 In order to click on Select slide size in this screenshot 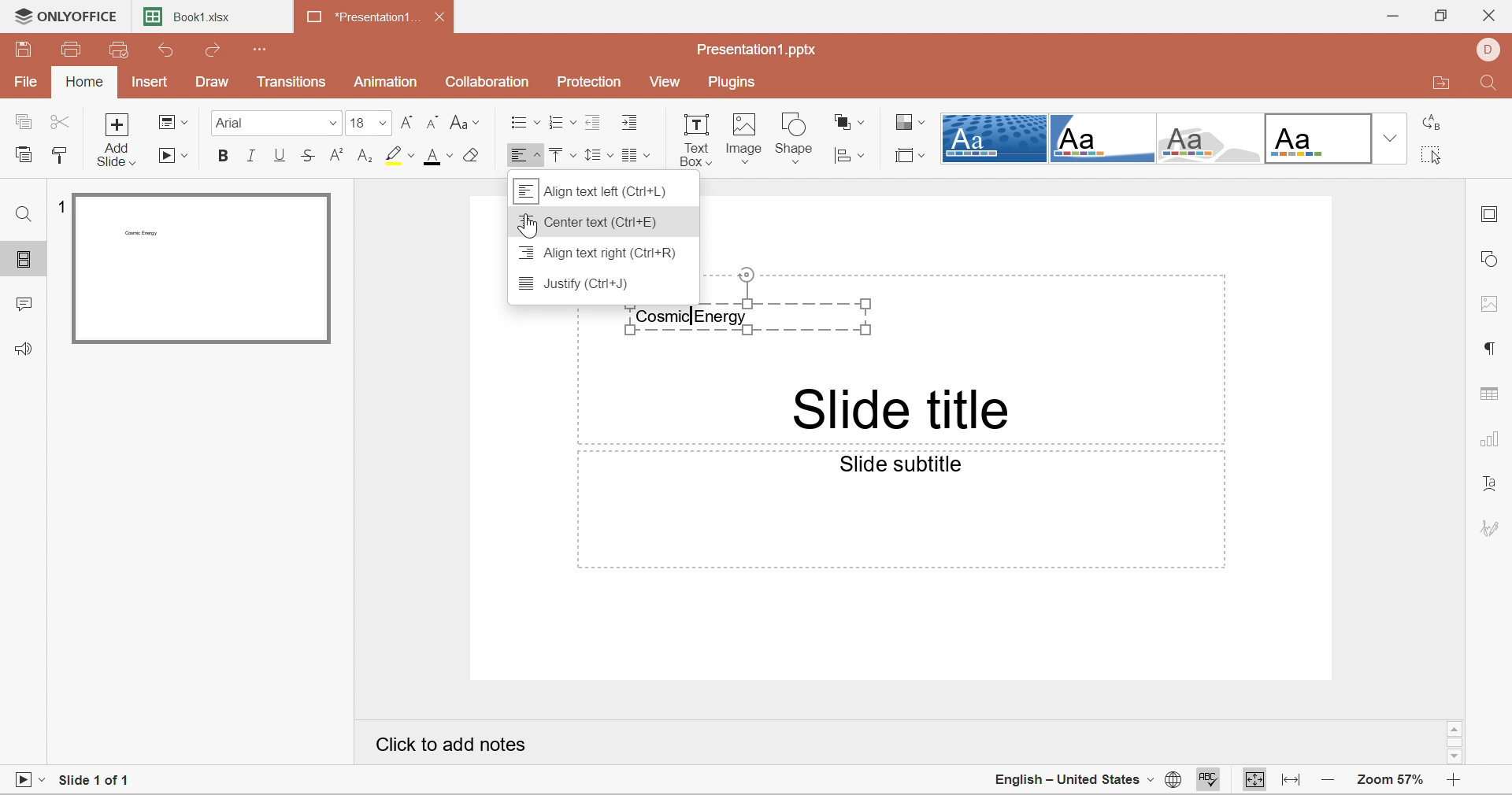, I will do `click(908, 156)`.